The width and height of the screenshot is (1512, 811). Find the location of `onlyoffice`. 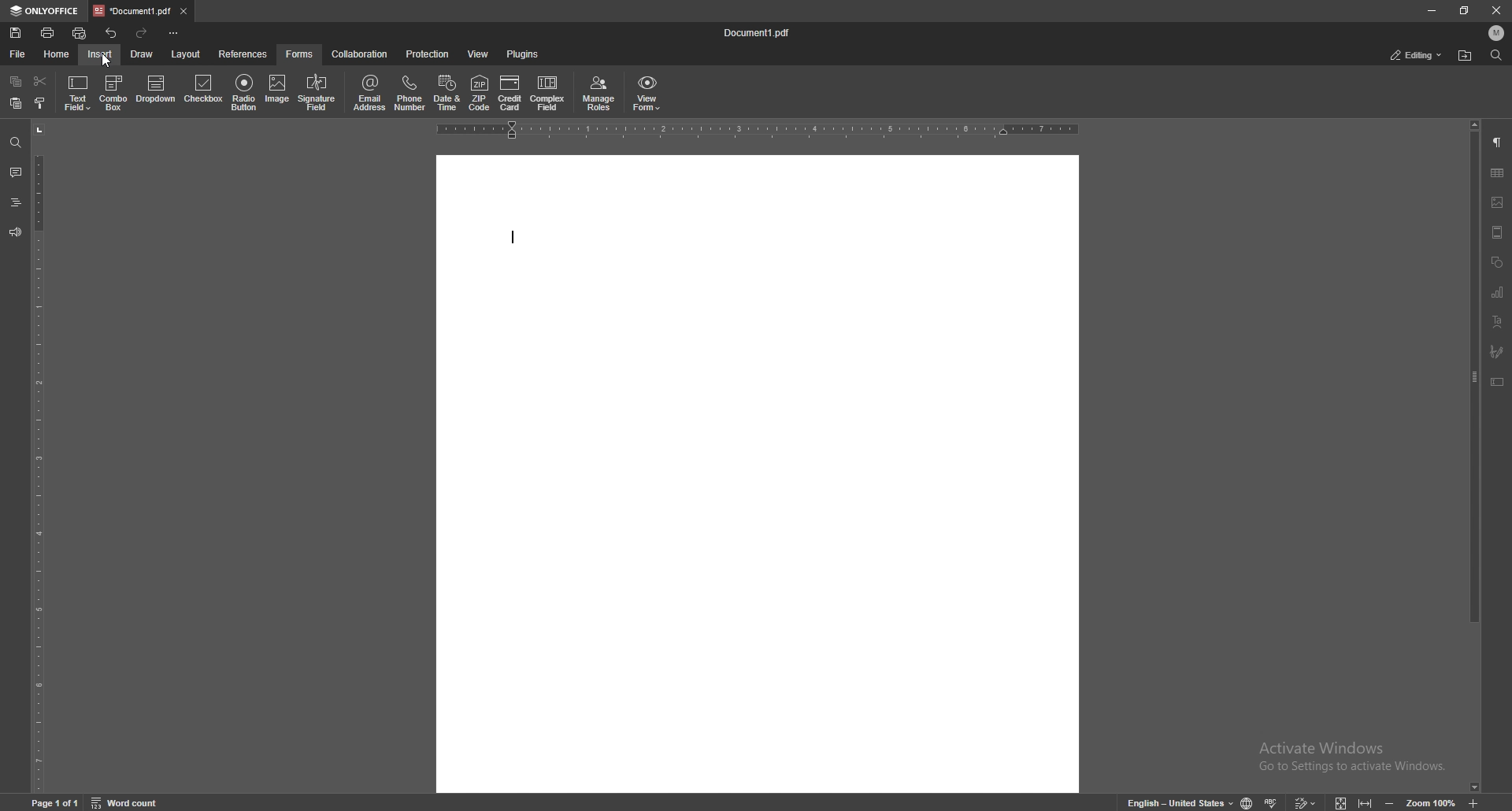

onlyoffice is located at coordinates (43, 12).